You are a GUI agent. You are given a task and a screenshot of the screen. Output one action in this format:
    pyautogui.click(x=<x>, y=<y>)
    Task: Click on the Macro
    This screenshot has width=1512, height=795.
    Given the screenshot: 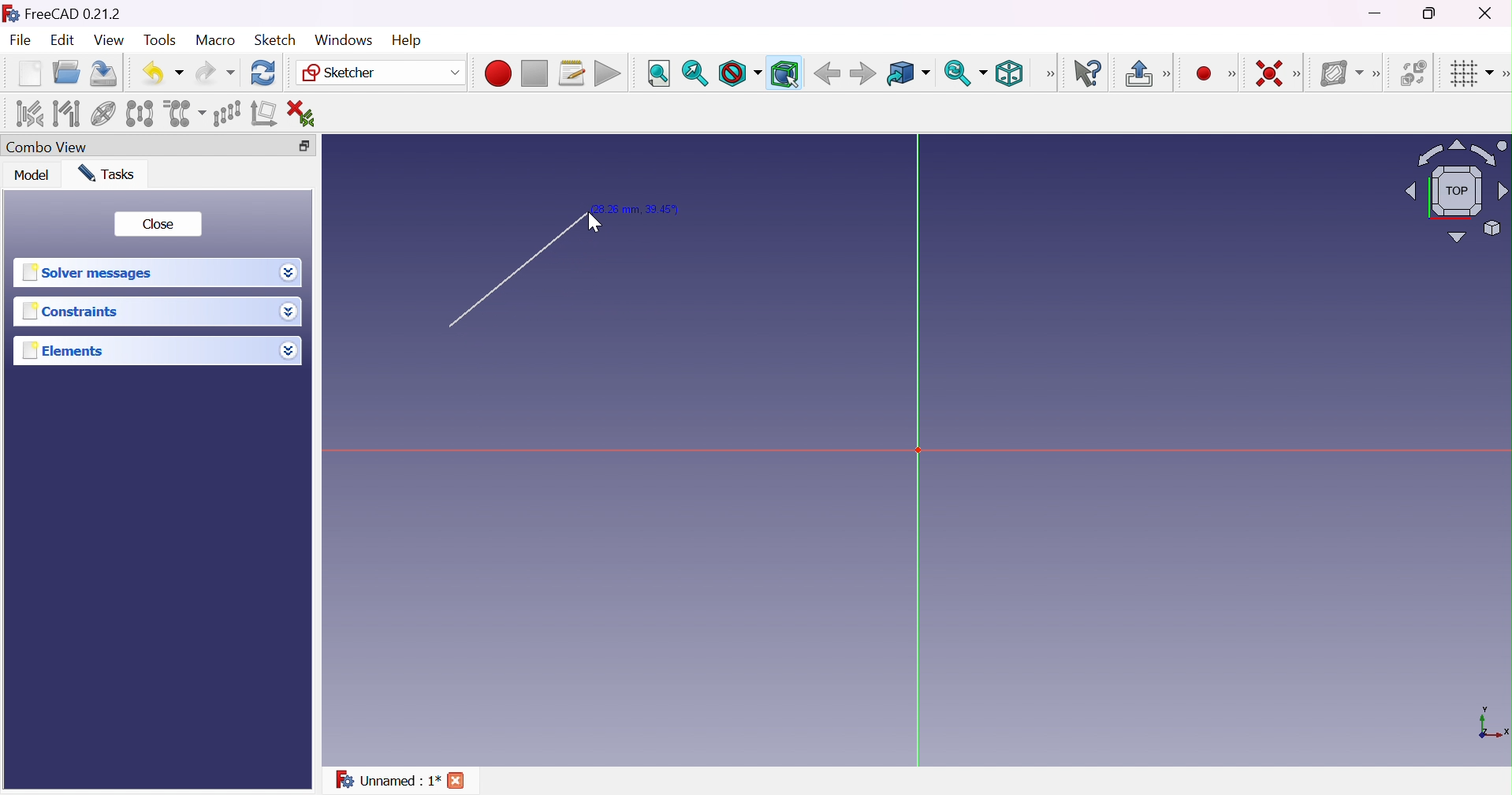 What is the action you would take?
    pyautogui.click(x=214, y=40)
    